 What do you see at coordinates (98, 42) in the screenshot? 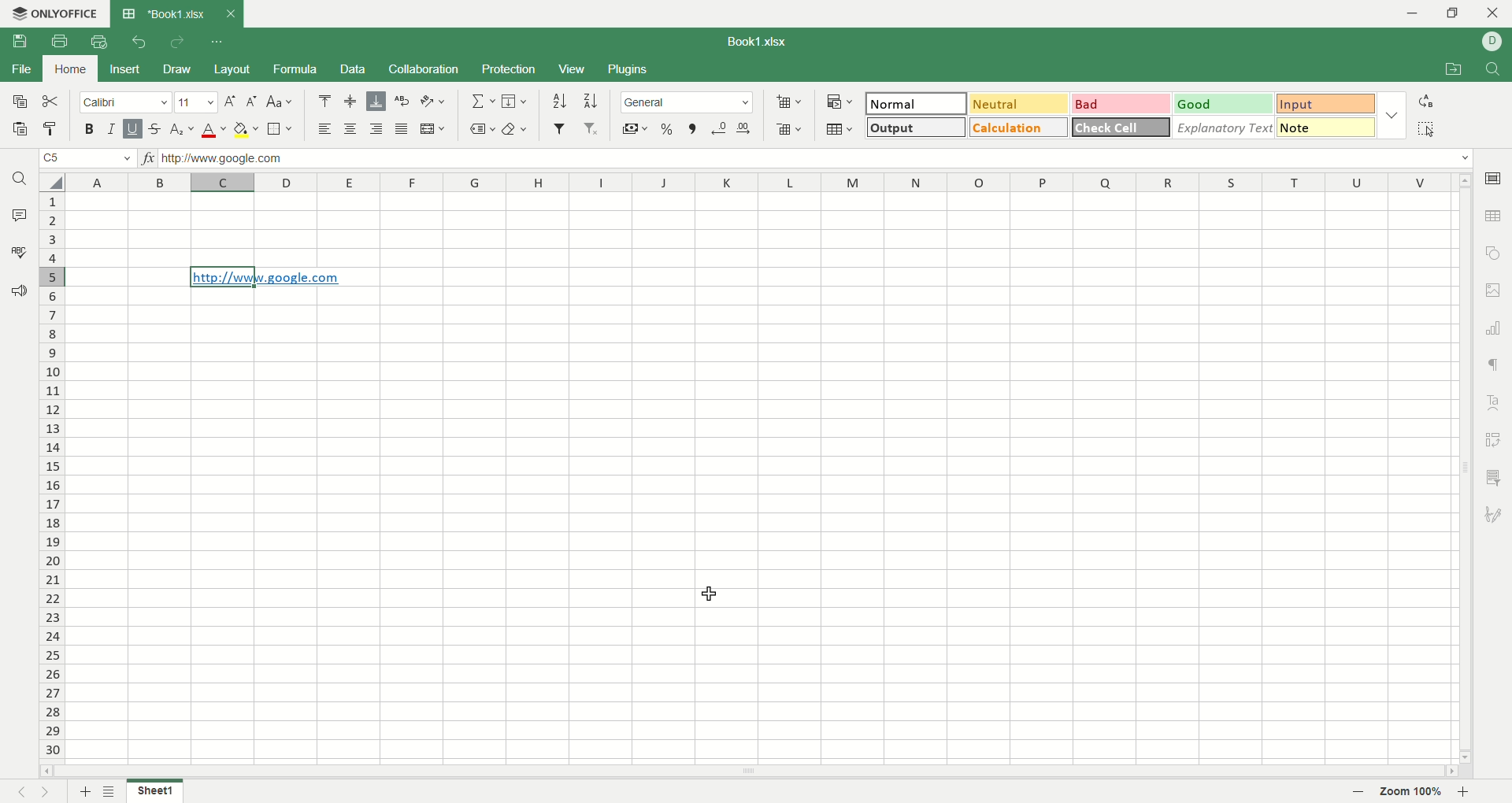
I see `quick print` at bounding box center [98, 42].